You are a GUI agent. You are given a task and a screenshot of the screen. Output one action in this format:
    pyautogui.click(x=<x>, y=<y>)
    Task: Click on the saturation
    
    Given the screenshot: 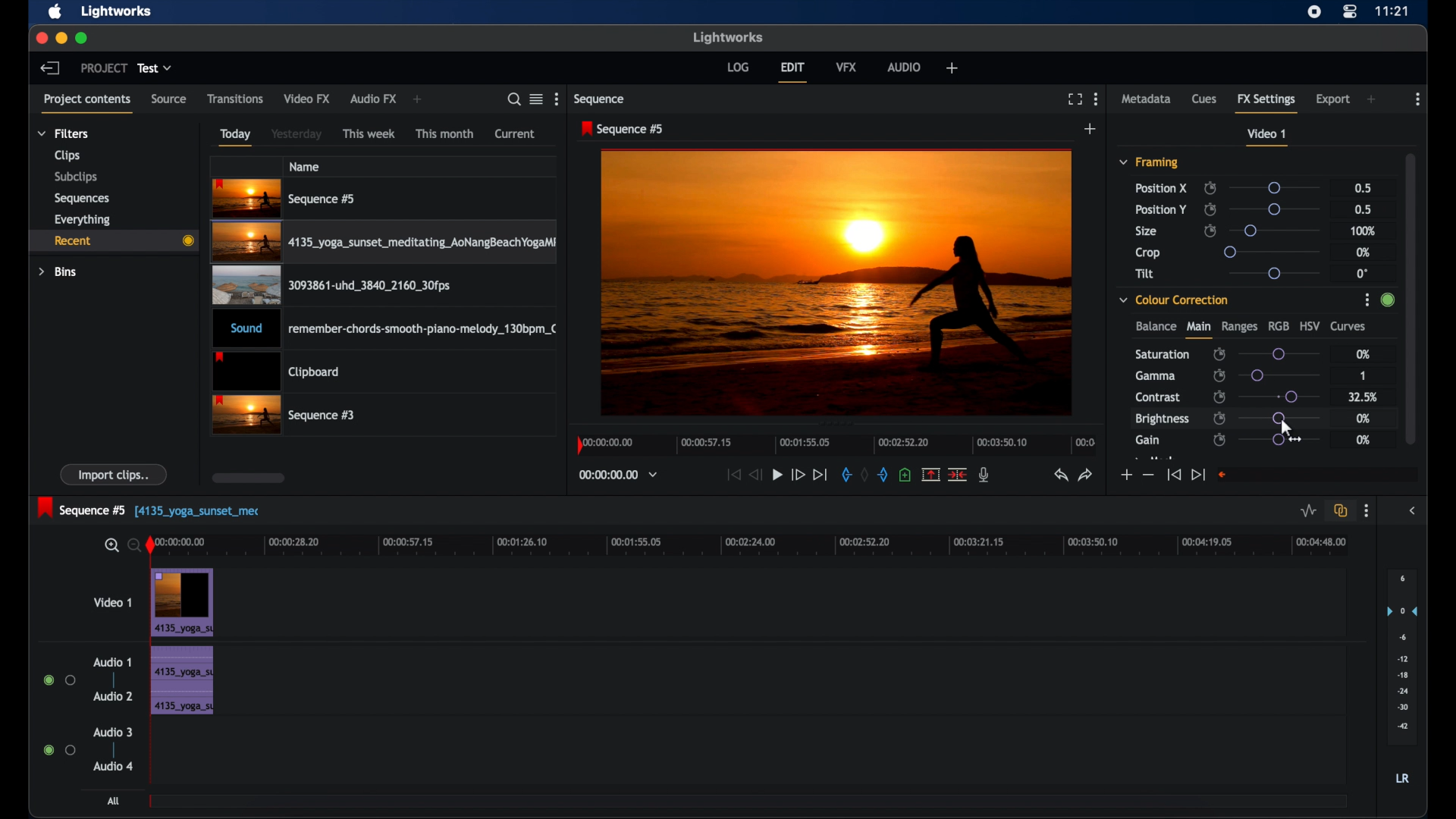 What is the action you would take?
    pyautogui.click(x=1162, y=354)
    